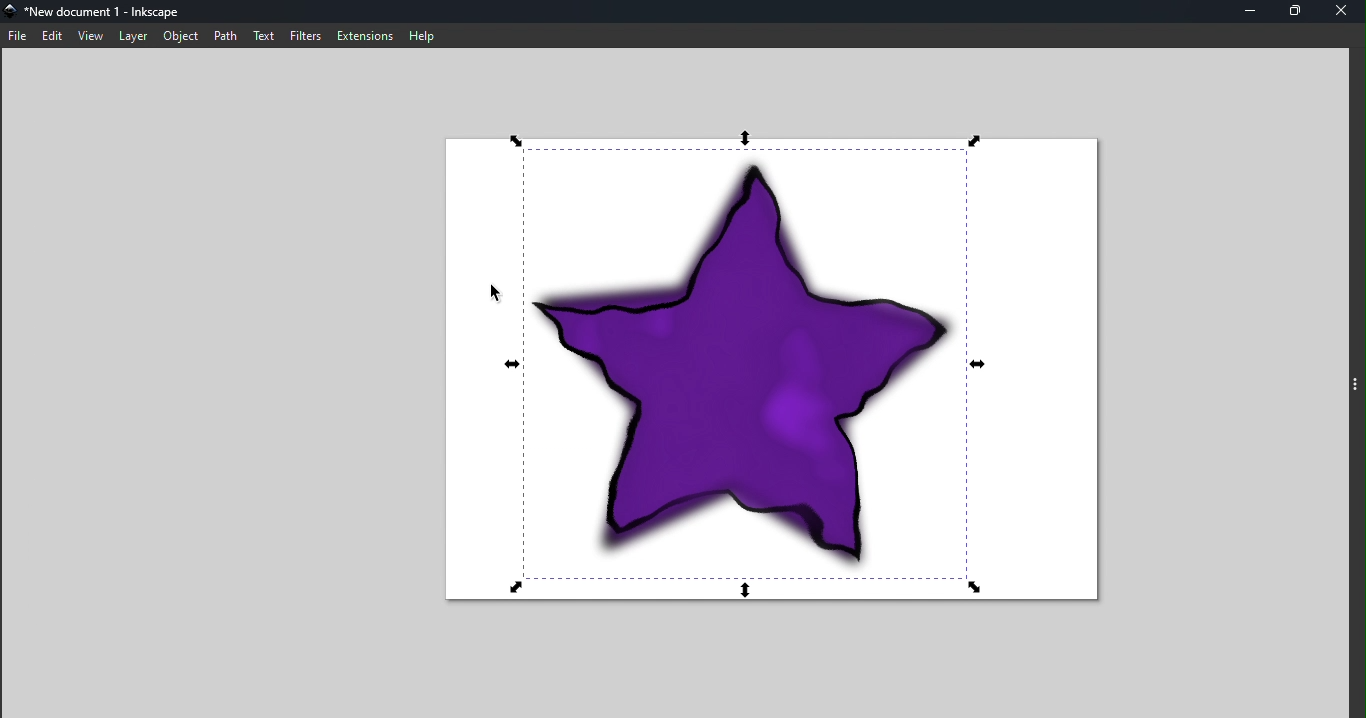  I want to click on Extensions, so click(364, 36).